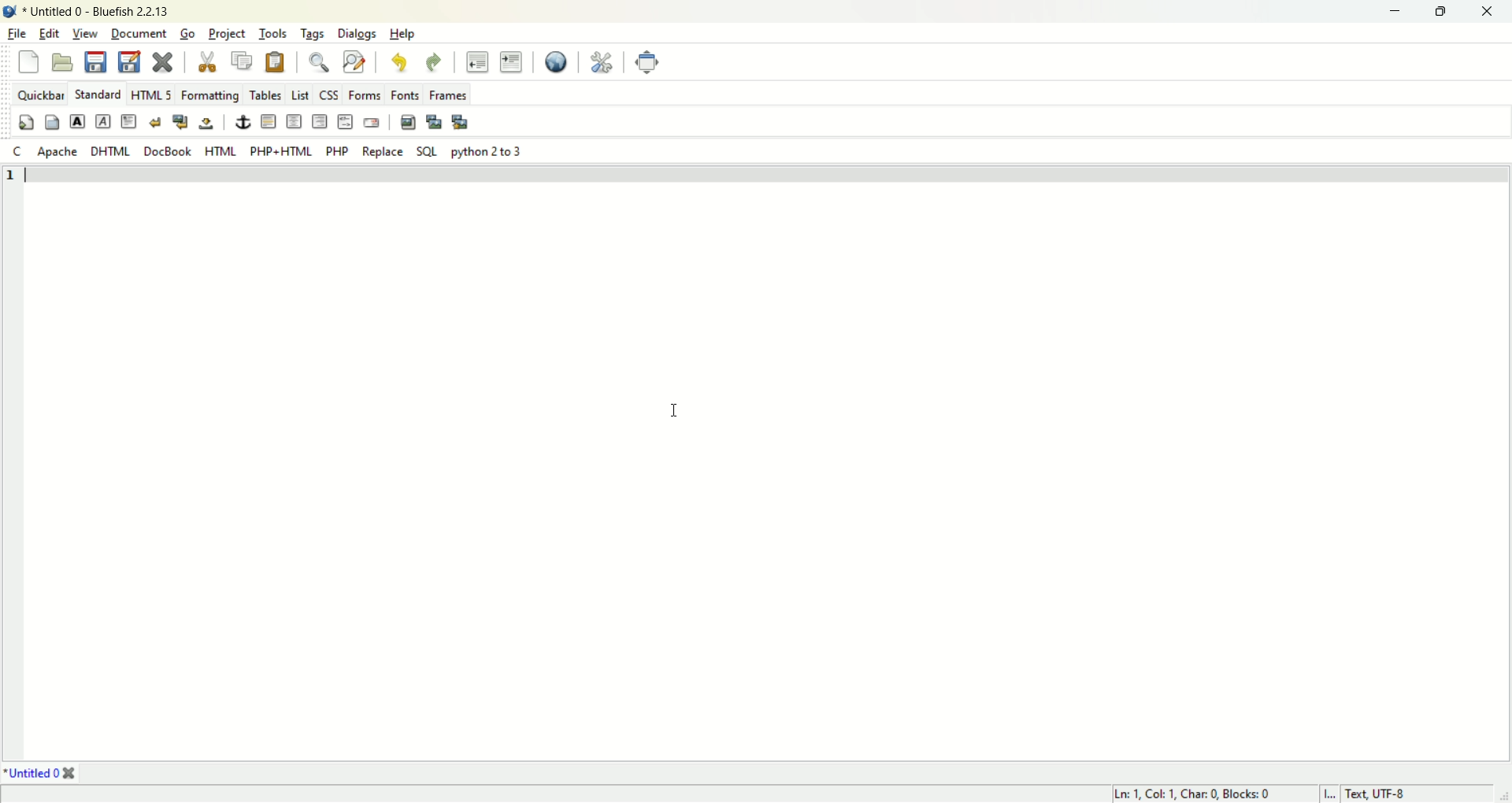 The height and width of the screenshot is (803, 1512). I want to click on css, so click(328, 94).